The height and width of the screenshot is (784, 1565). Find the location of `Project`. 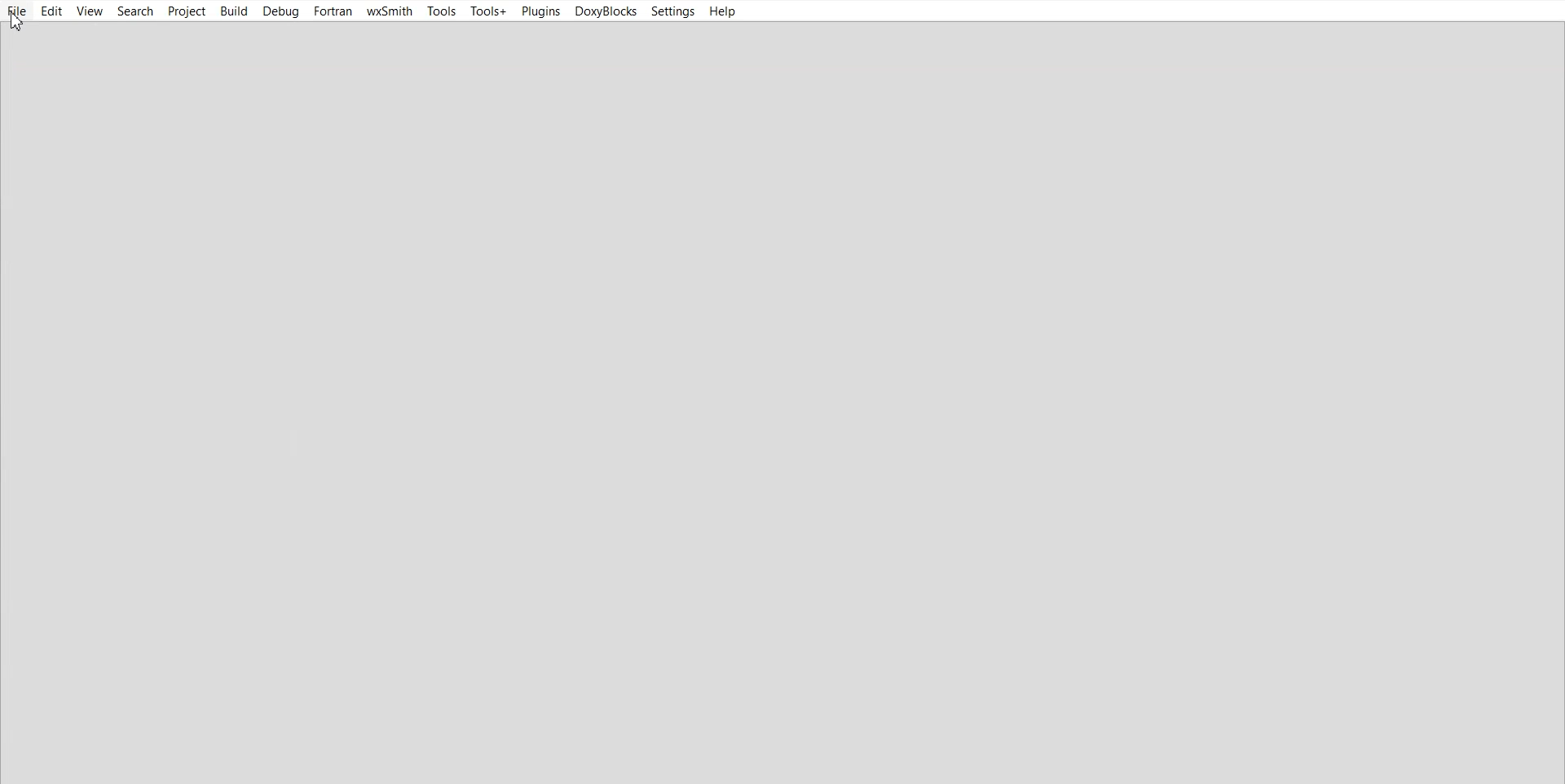

Project is located at coordinates (187, 11).